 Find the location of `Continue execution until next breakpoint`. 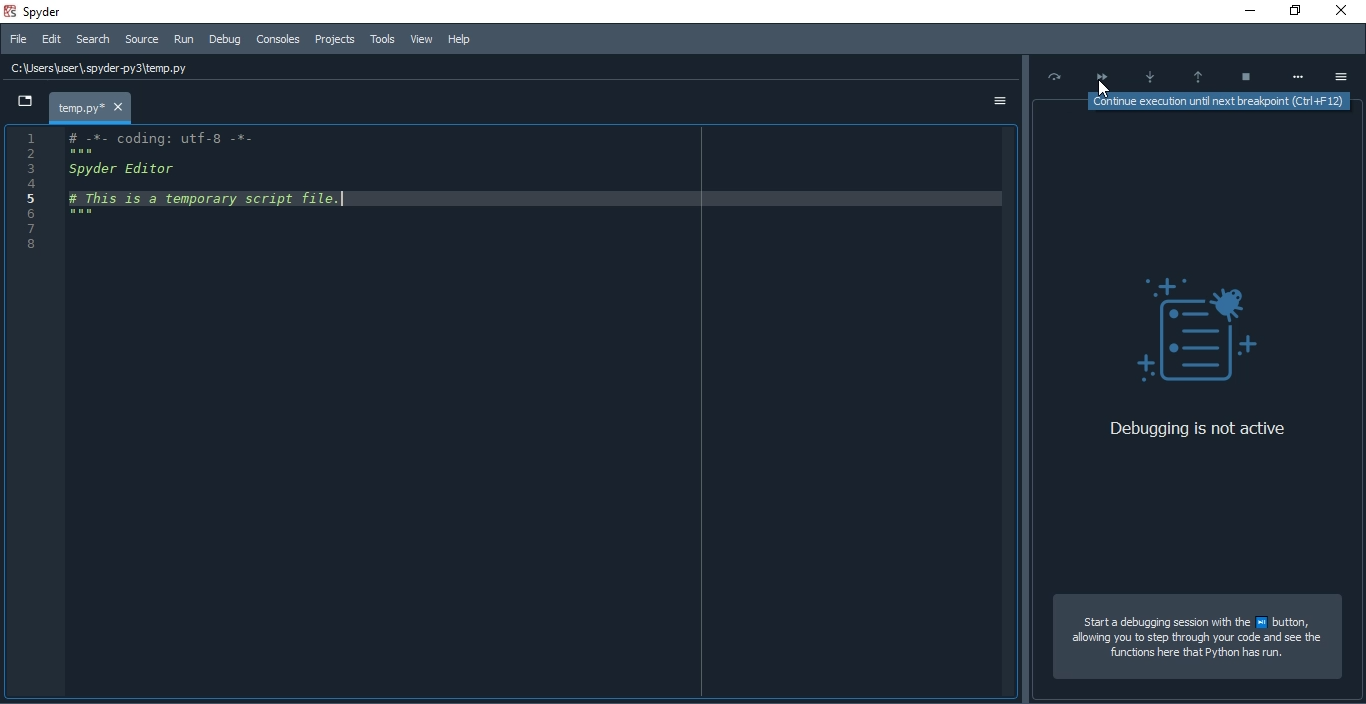

Continue execution until next breakpoint is located at coordinates (1099, 74).